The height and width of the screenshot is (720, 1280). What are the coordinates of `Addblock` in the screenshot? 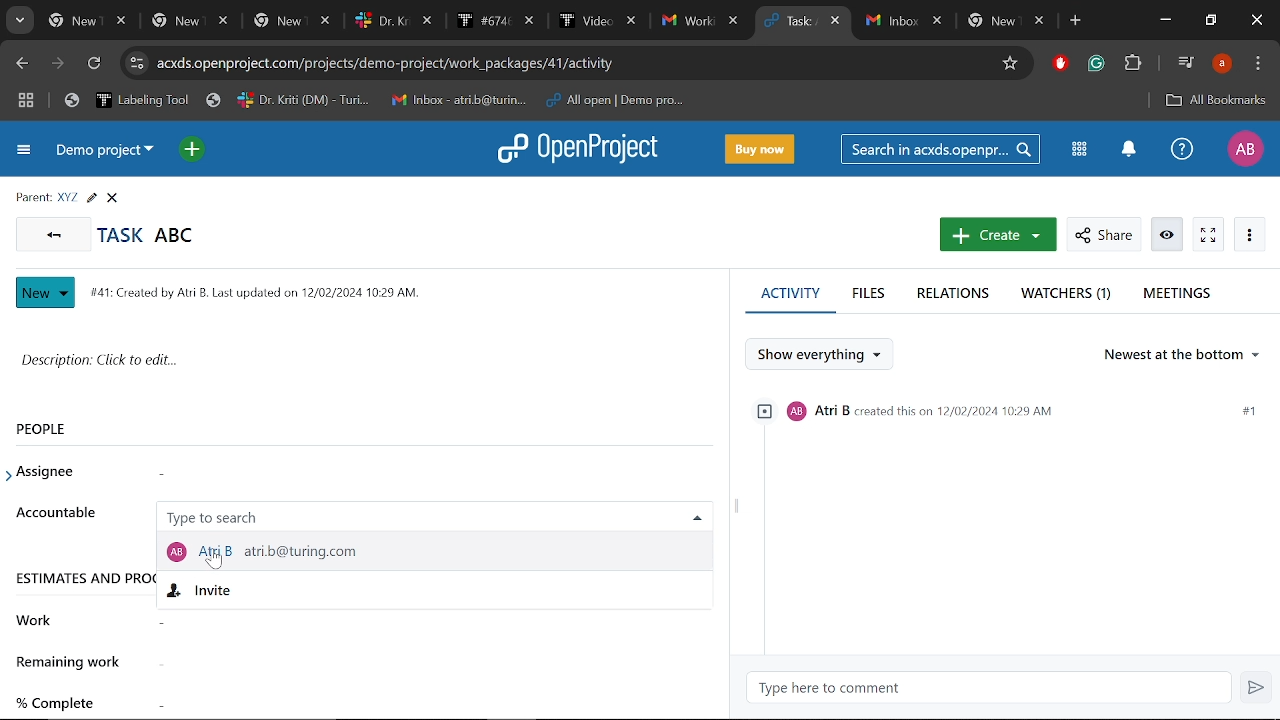 It's located at (1058, 63).